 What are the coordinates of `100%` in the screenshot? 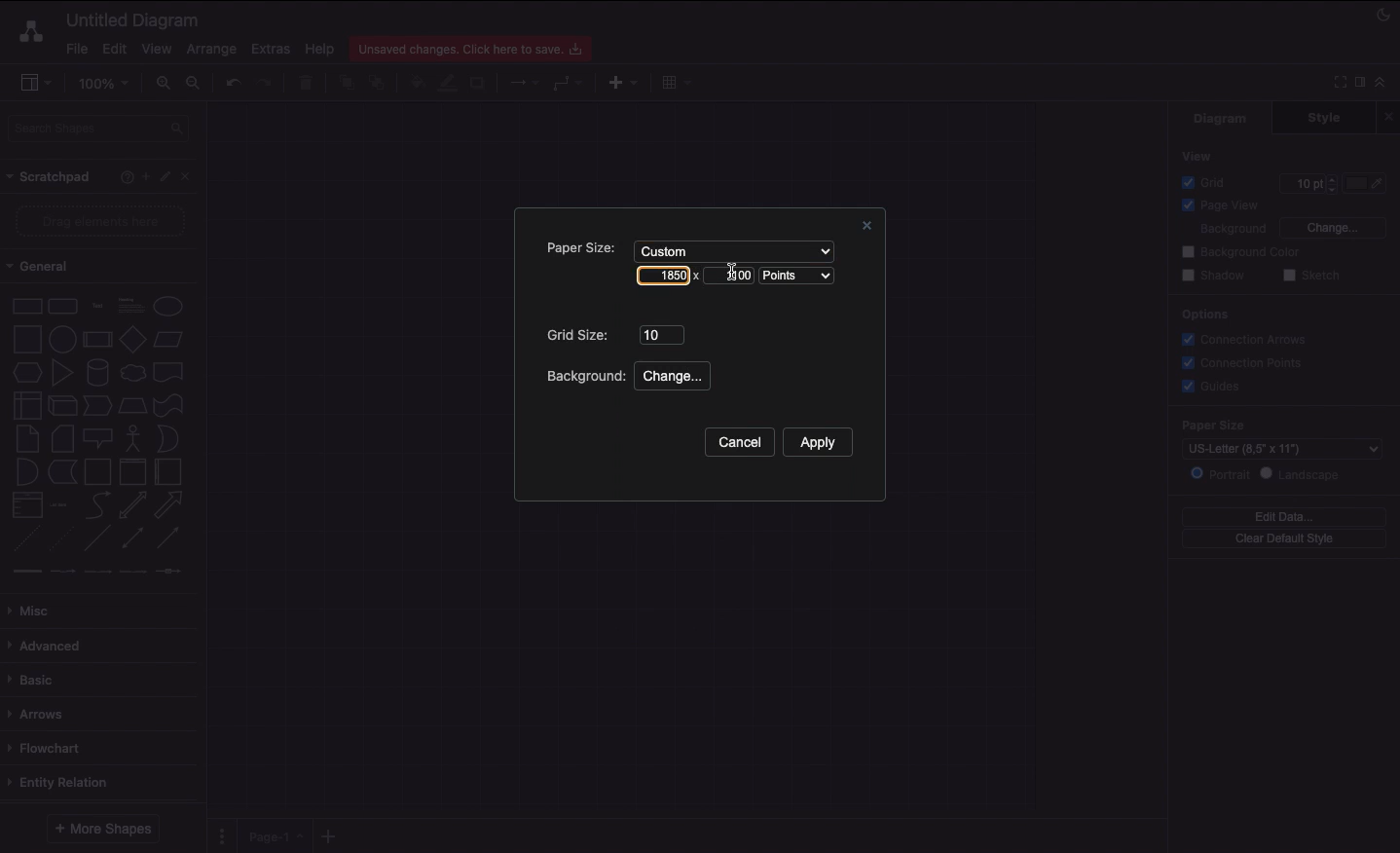 It's located at (106, 84).